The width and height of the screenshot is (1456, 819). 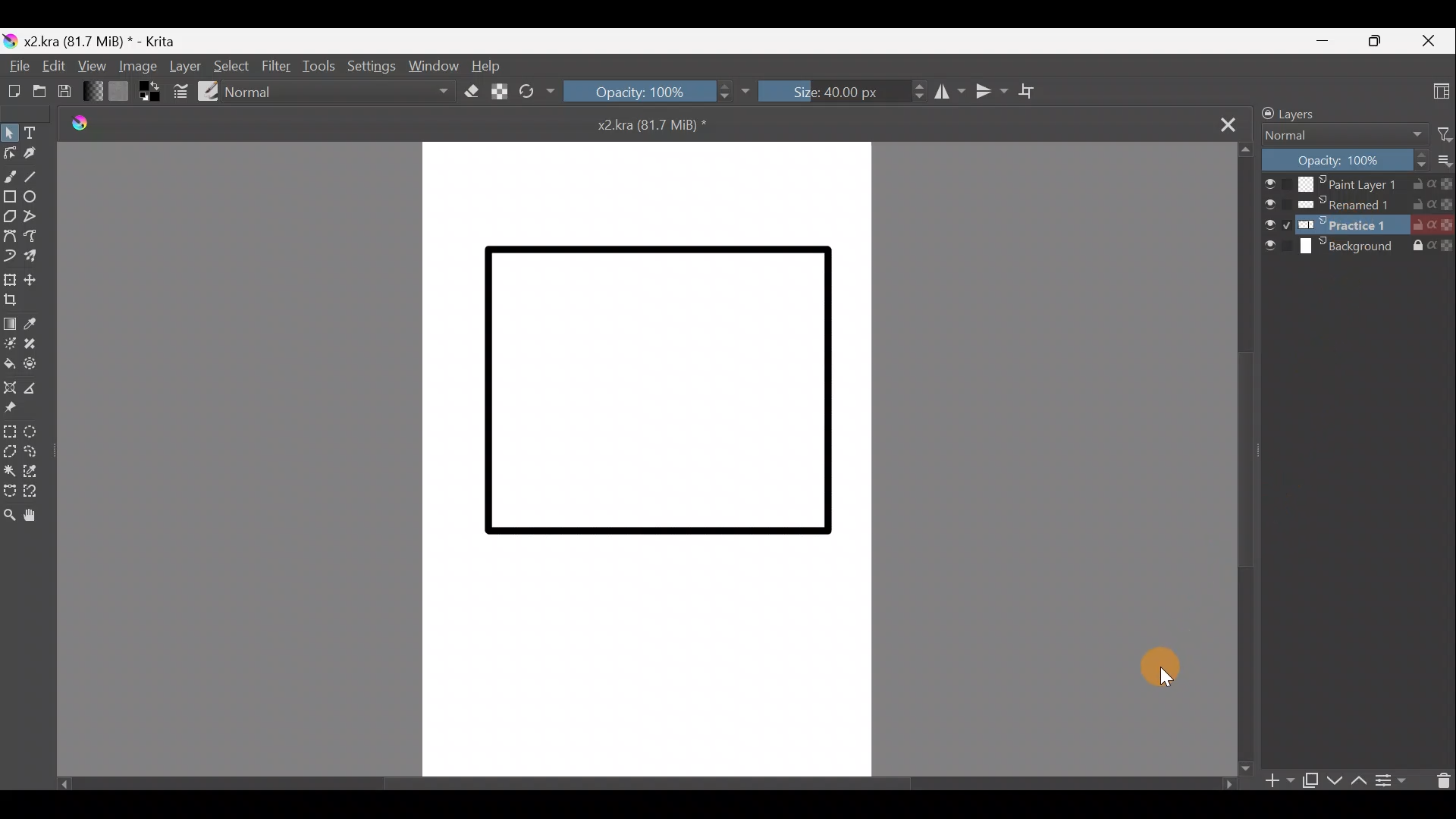 What do you see at coordinates (1308, 781) in the screenshot?
I see `Duplicate layer or mask` at bounding box center [1308, 781].